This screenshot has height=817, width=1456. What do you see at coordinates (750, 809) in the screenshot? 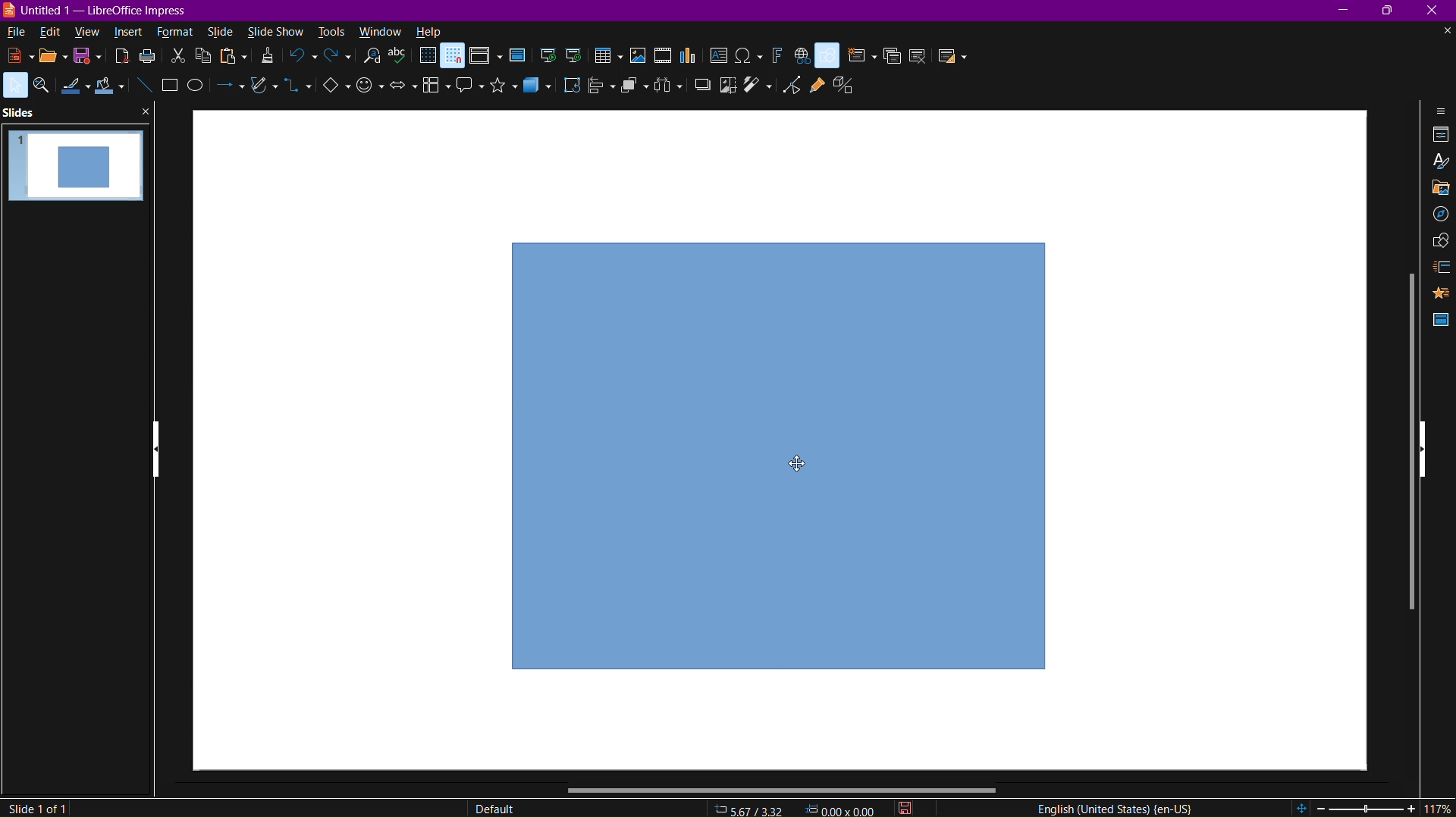
I see `Coordinates` at bounding box center [750, 809].